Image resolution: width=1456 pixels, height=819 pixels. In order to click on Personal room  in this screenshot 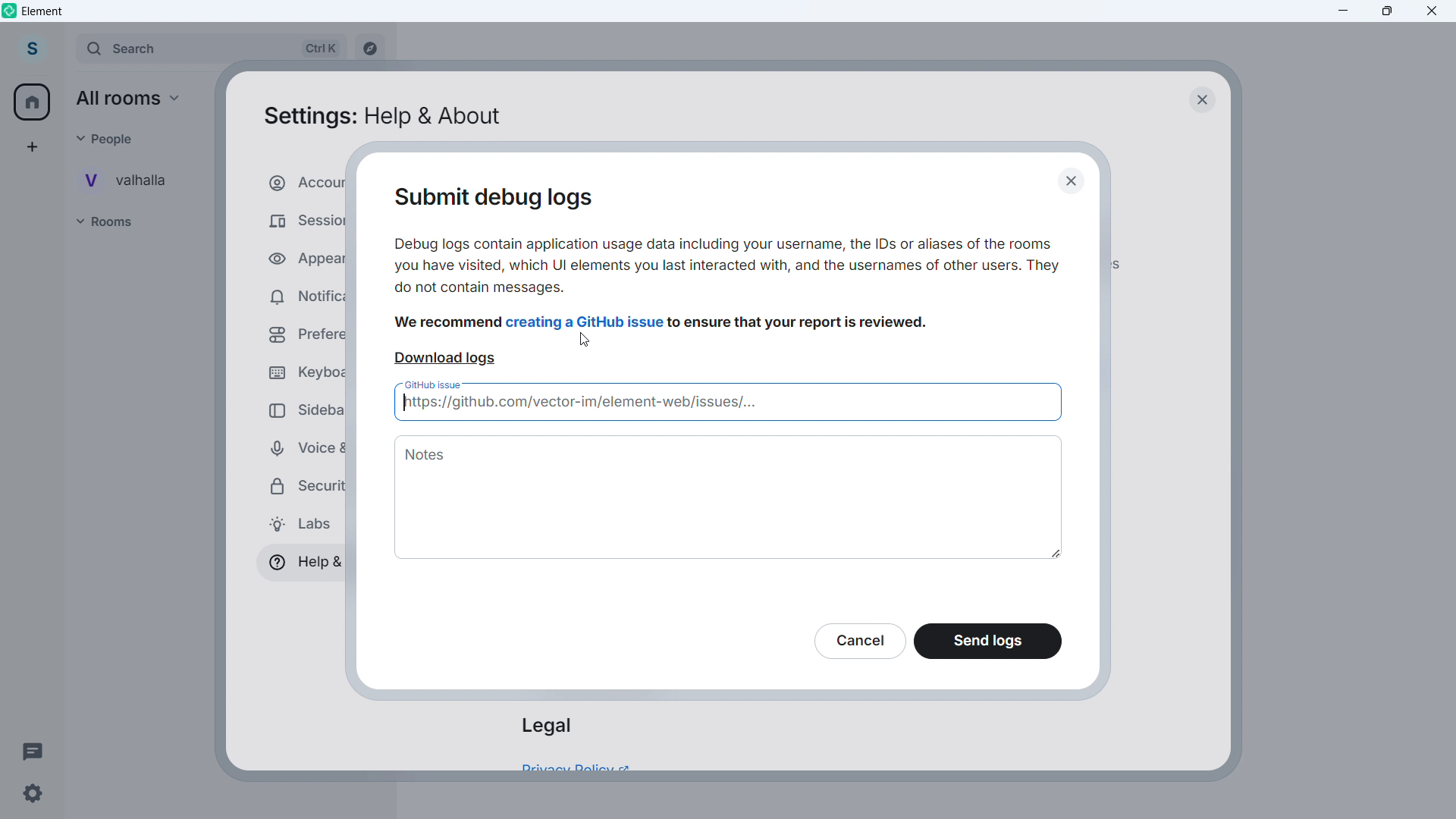, I will do `click(133, 180)`.